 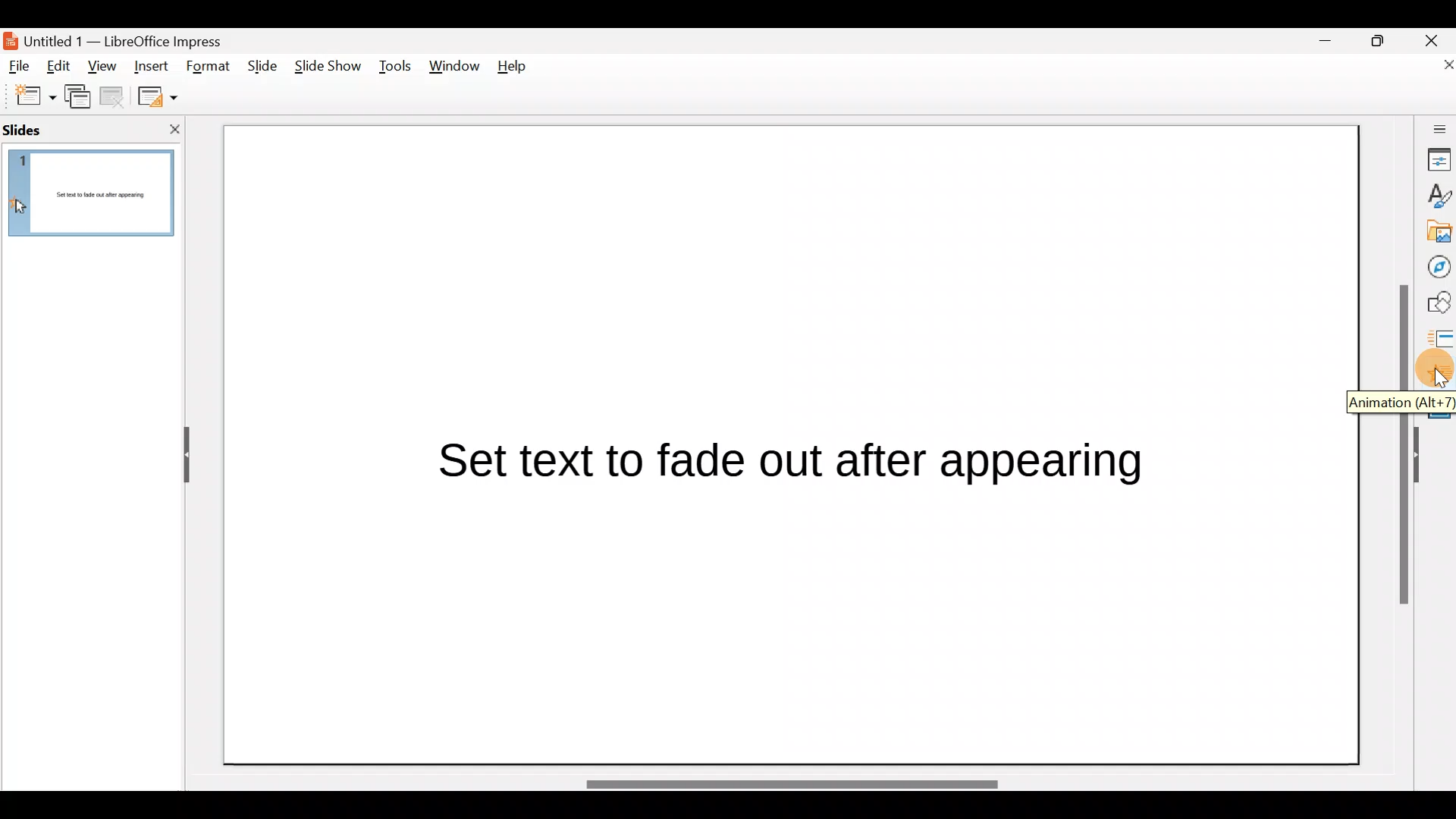 I want to click on File, so click(x=20, y=67).